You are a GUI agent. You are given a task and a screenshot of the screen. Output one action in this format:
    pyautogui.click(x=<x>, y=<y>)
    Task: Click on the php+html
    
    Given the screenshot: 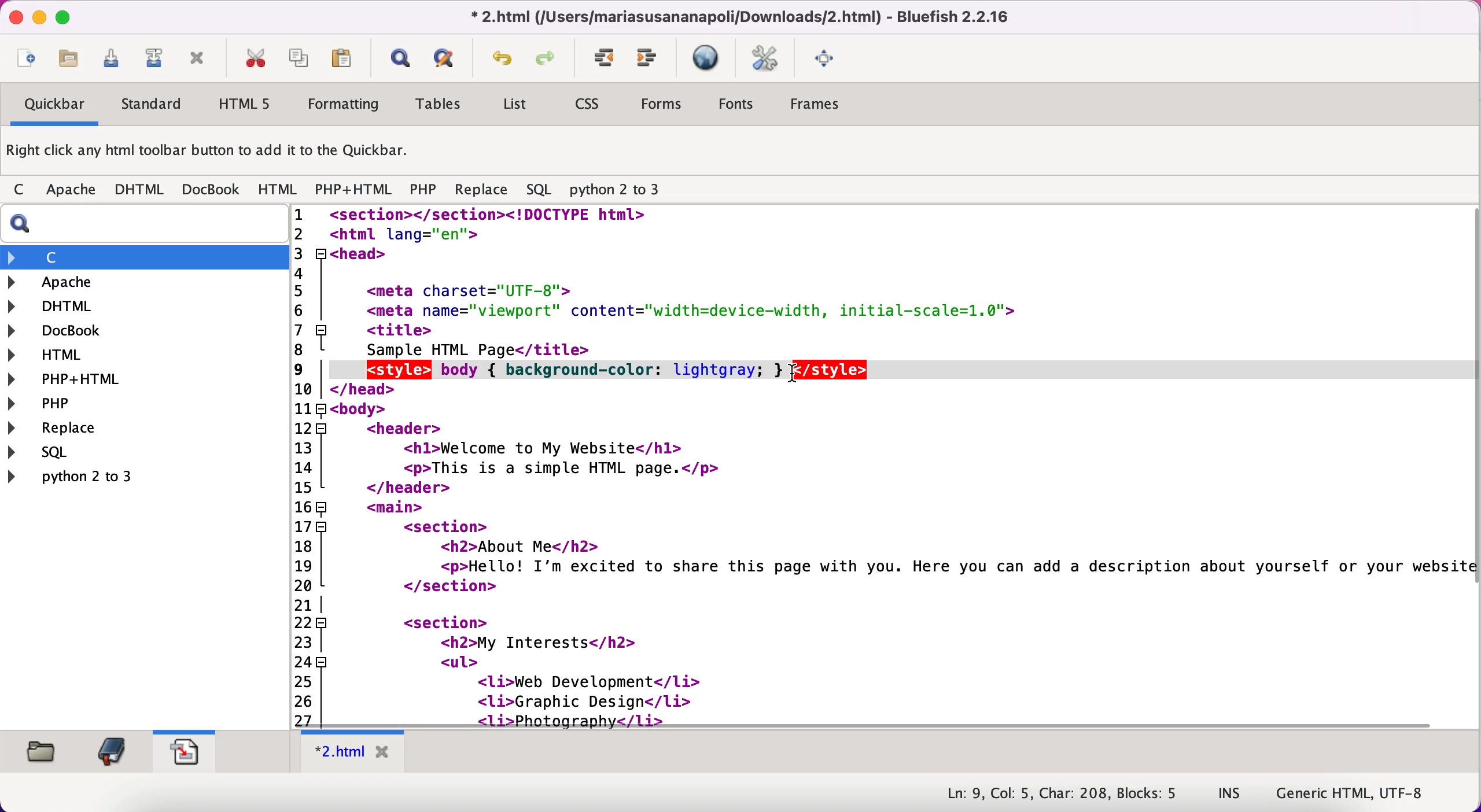 What is the action you would take?
    pyautogui.click(x=355, y=191)
    